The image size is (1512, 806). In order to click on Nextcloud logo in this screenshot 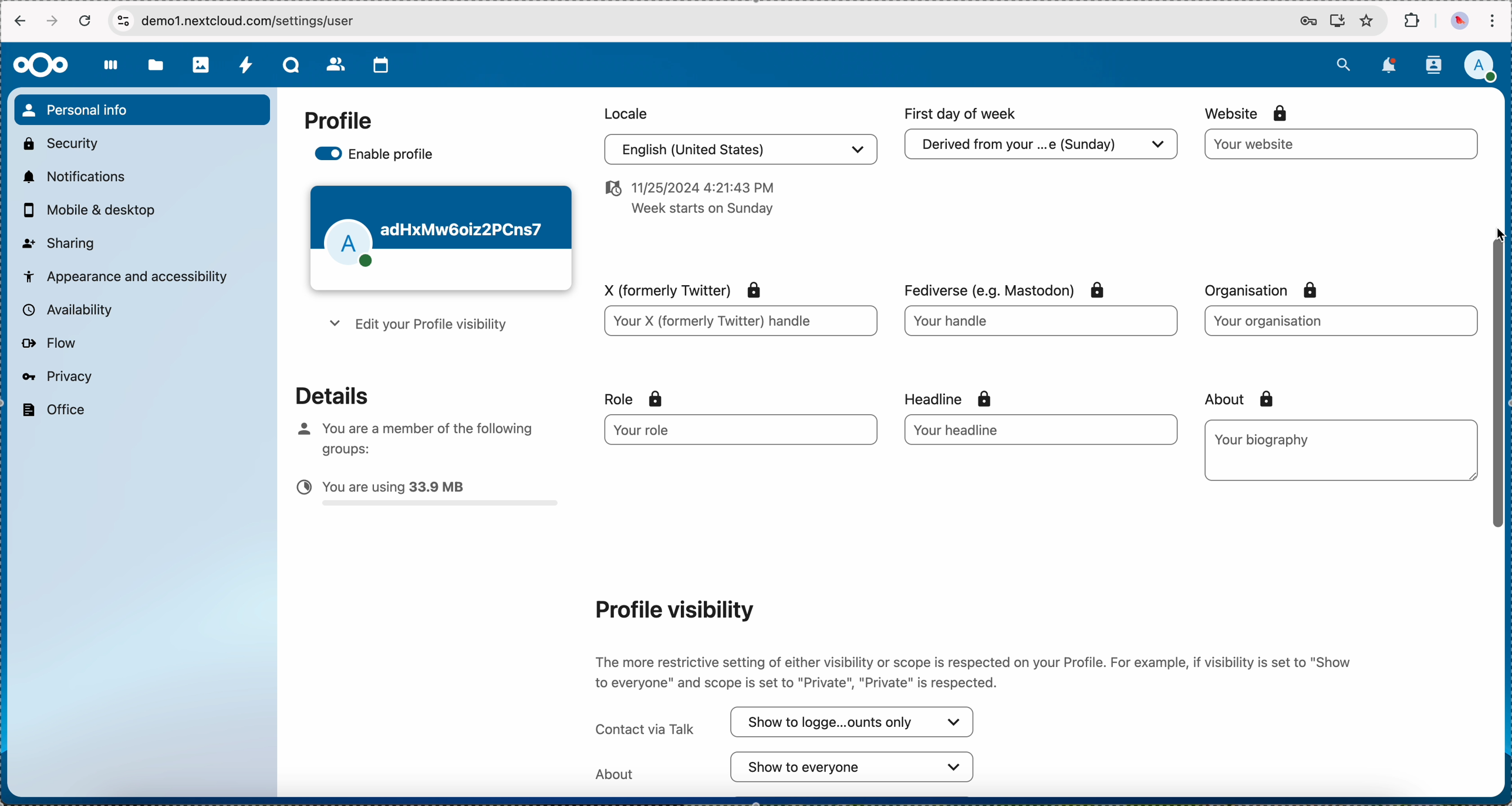, I will do `click(39, 65)`.